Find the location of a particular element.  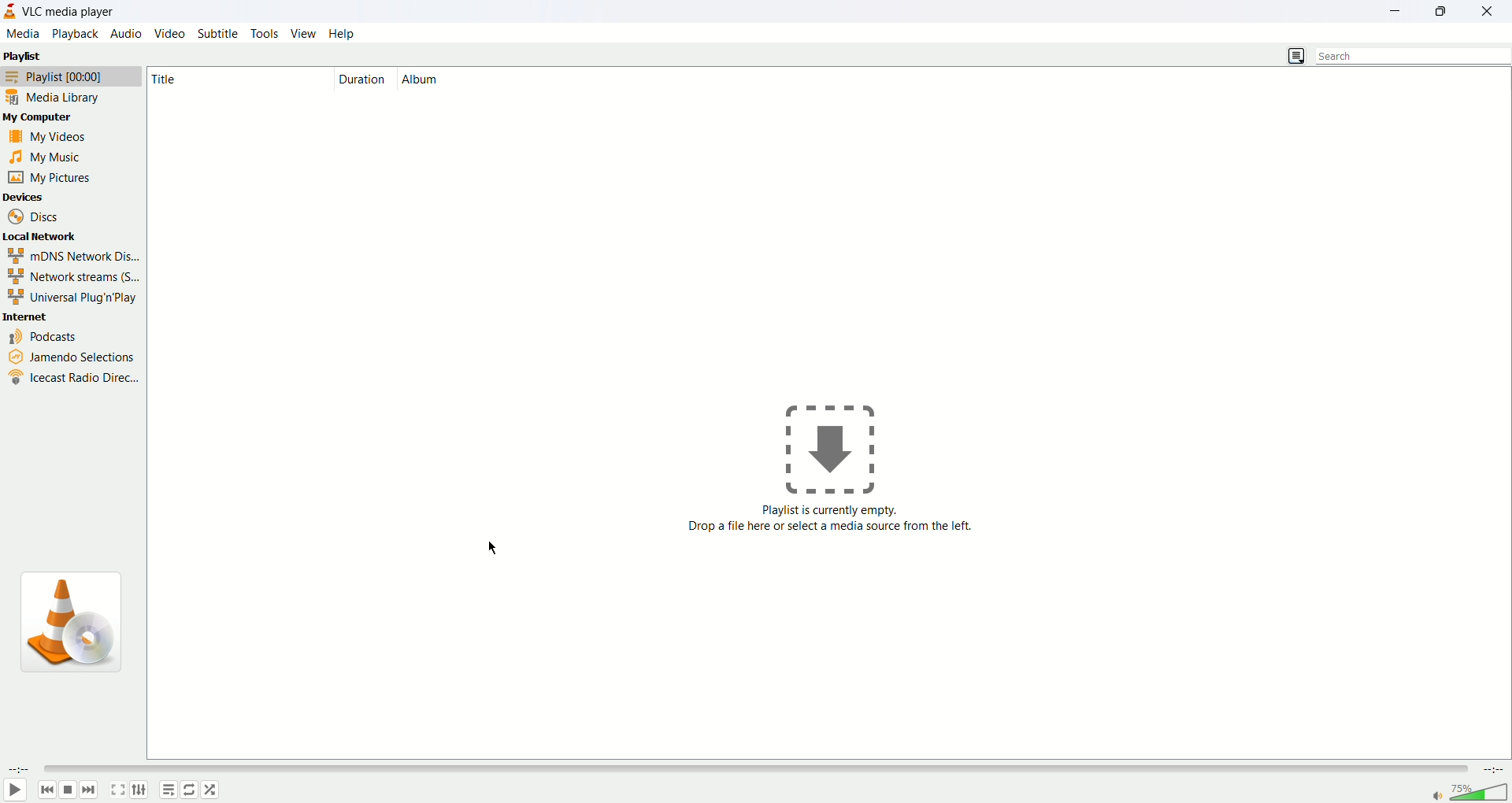

video is located at coordinates (172, 34).